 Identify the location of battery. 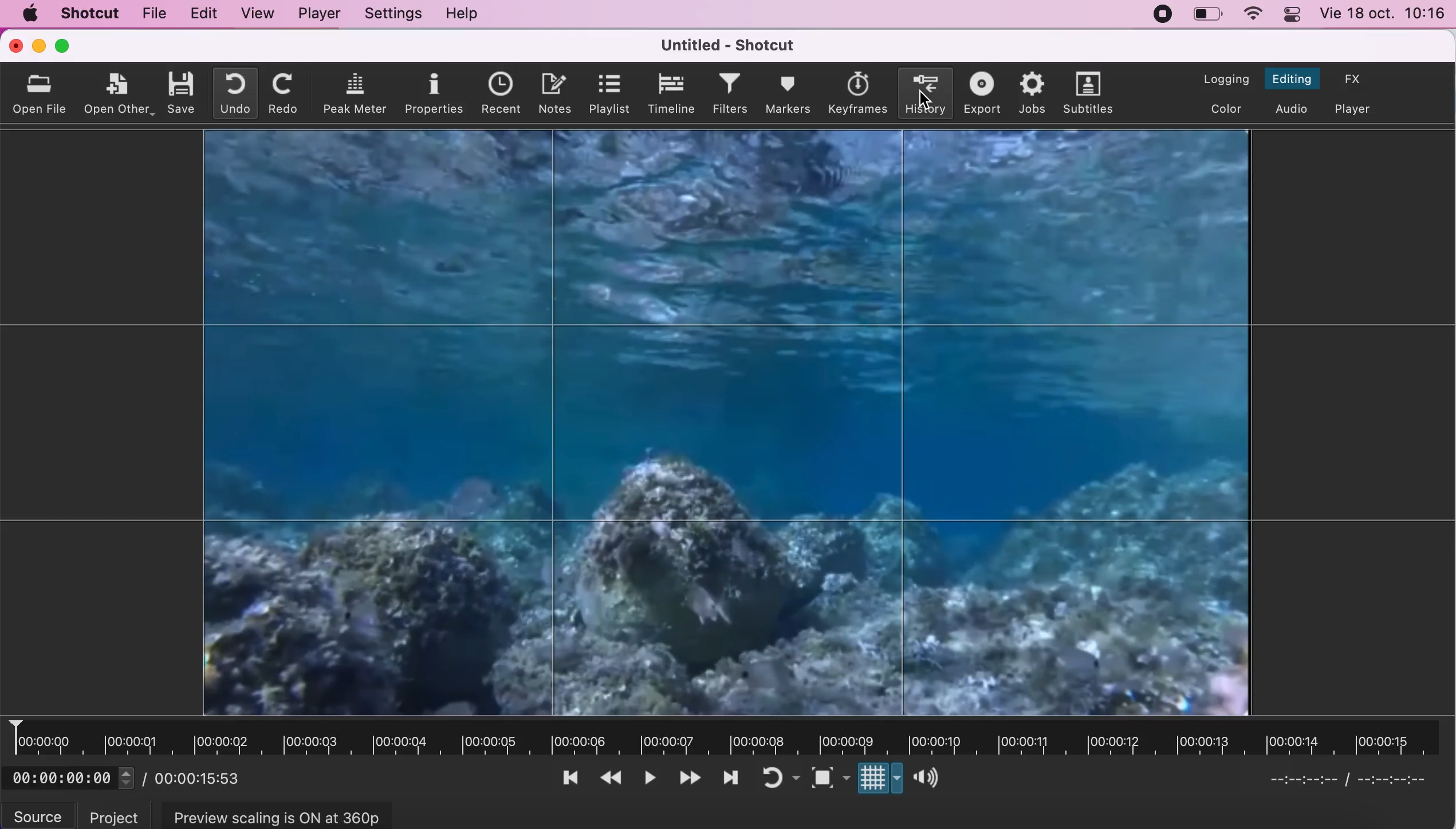
(1210, 17).